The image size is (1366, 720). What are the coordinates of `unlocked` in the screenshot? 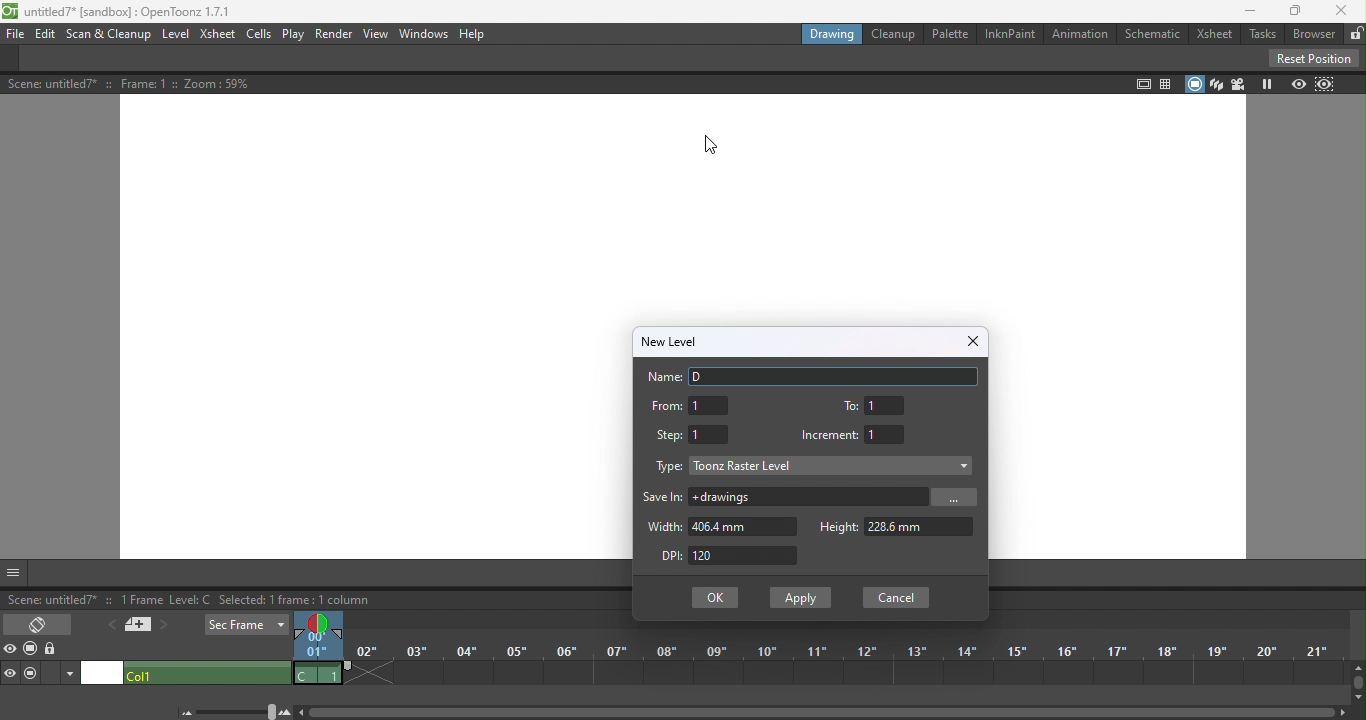 It's located at (1356, 31).